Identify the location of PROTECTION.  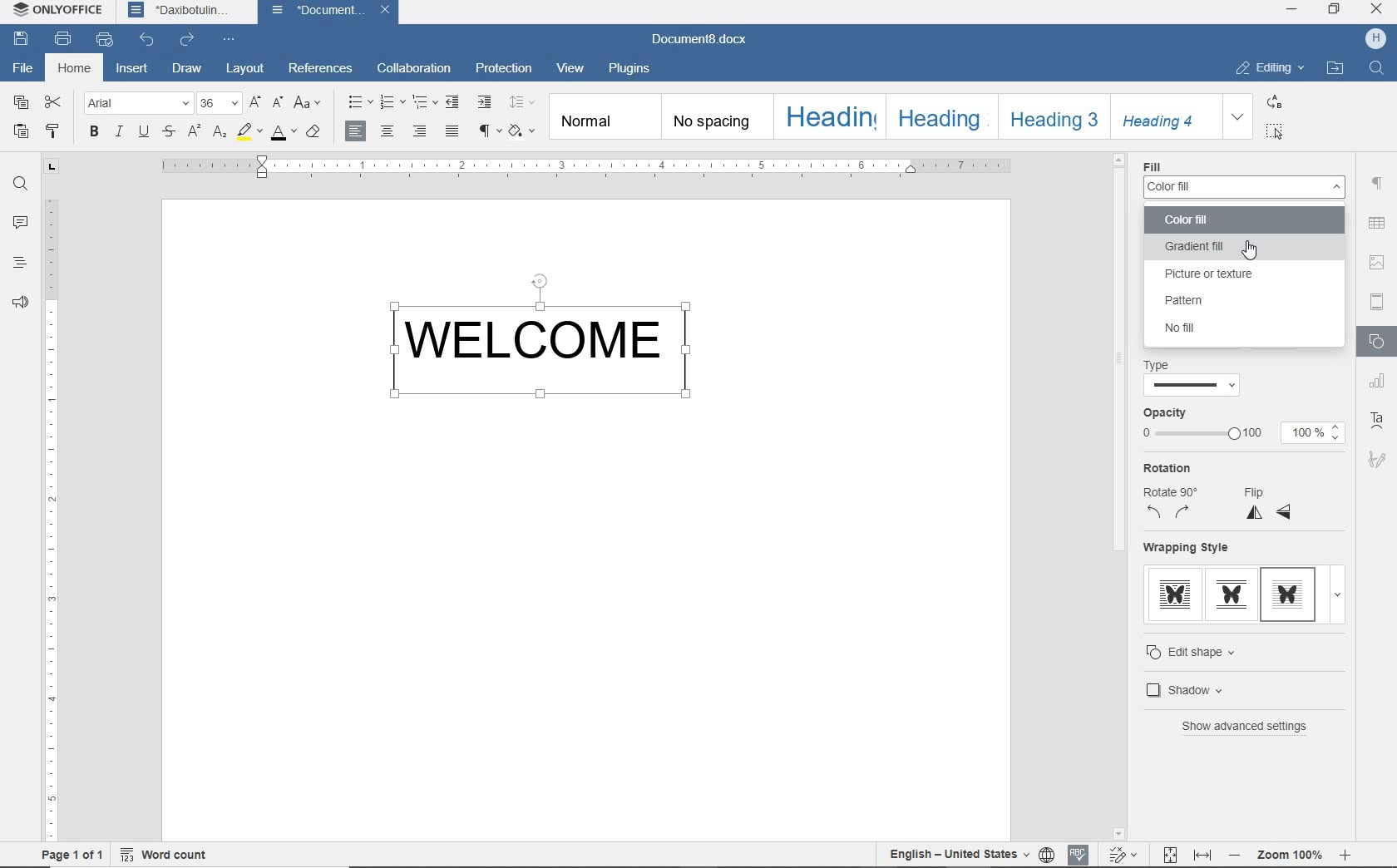
(504, 69).